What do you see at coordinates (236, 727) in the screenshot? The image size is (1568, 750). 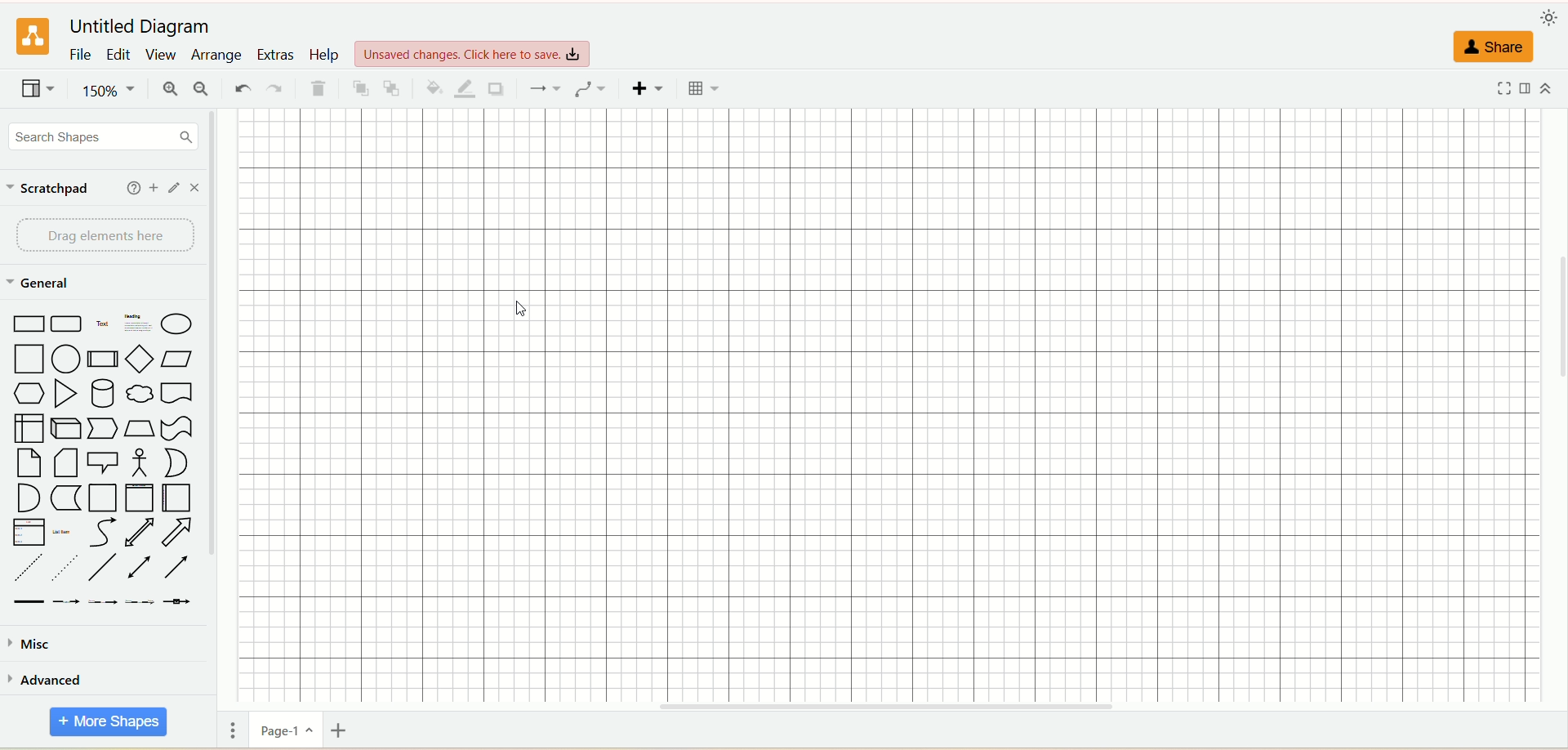 I see `pages` at bounding box center [236, 727].